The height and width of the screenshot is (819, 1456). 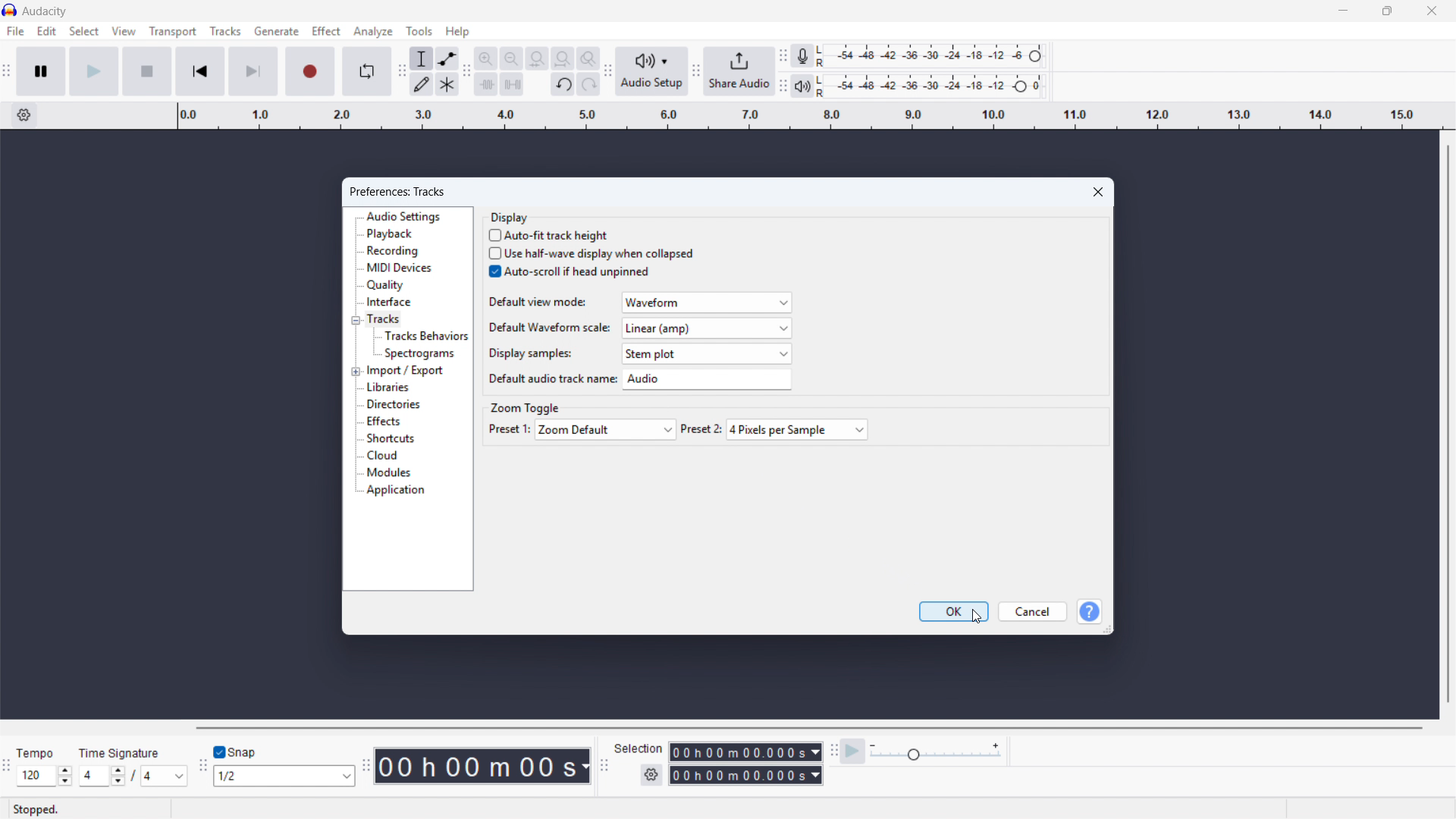 What do you see at coordinates (48, 32) in the screenshot?
I see `edit` at bounding box center [48, 32].